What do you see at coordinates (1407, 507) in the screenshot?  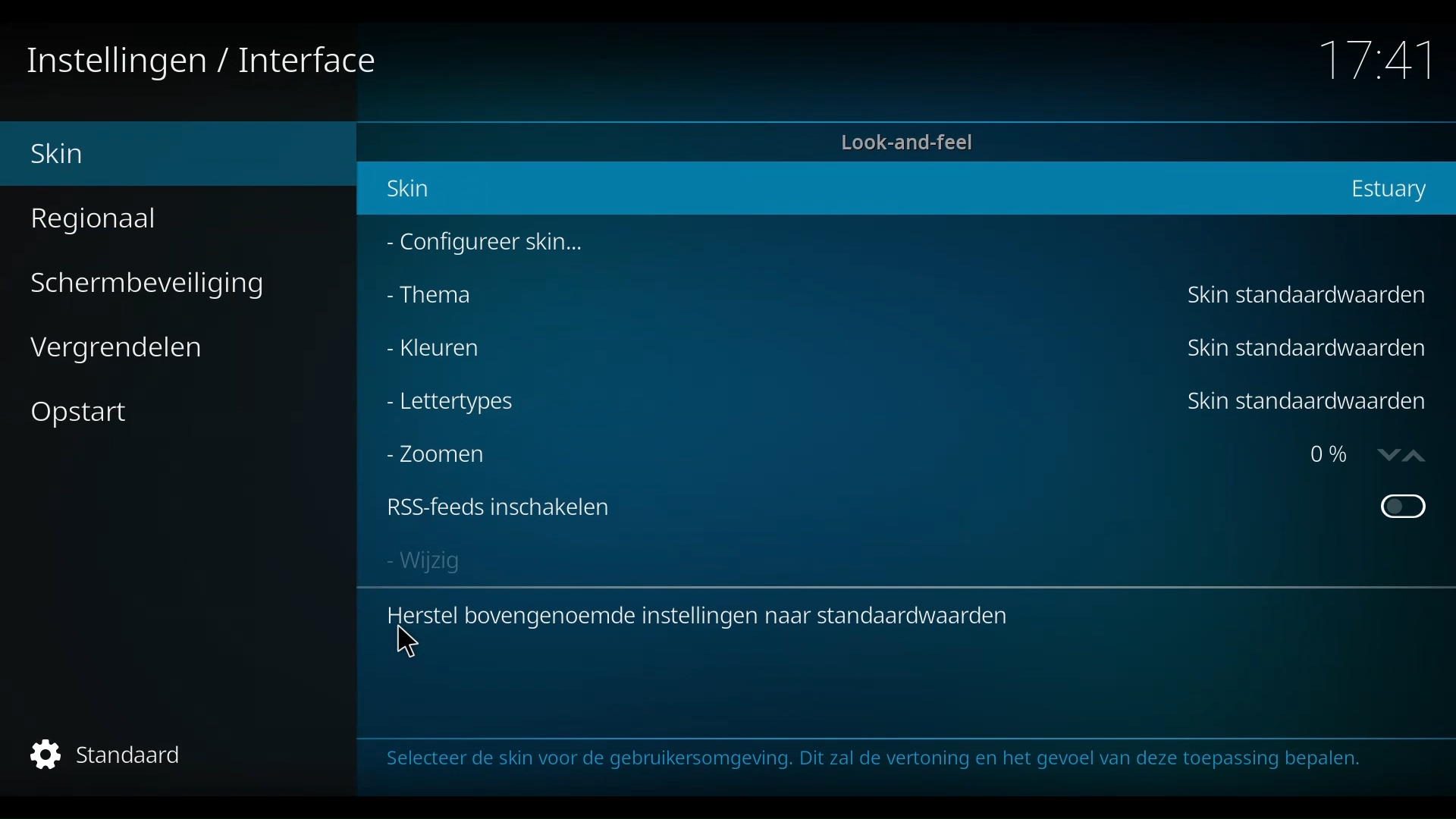 I see `Toggle on or off` at bounding box center [1407, 507].